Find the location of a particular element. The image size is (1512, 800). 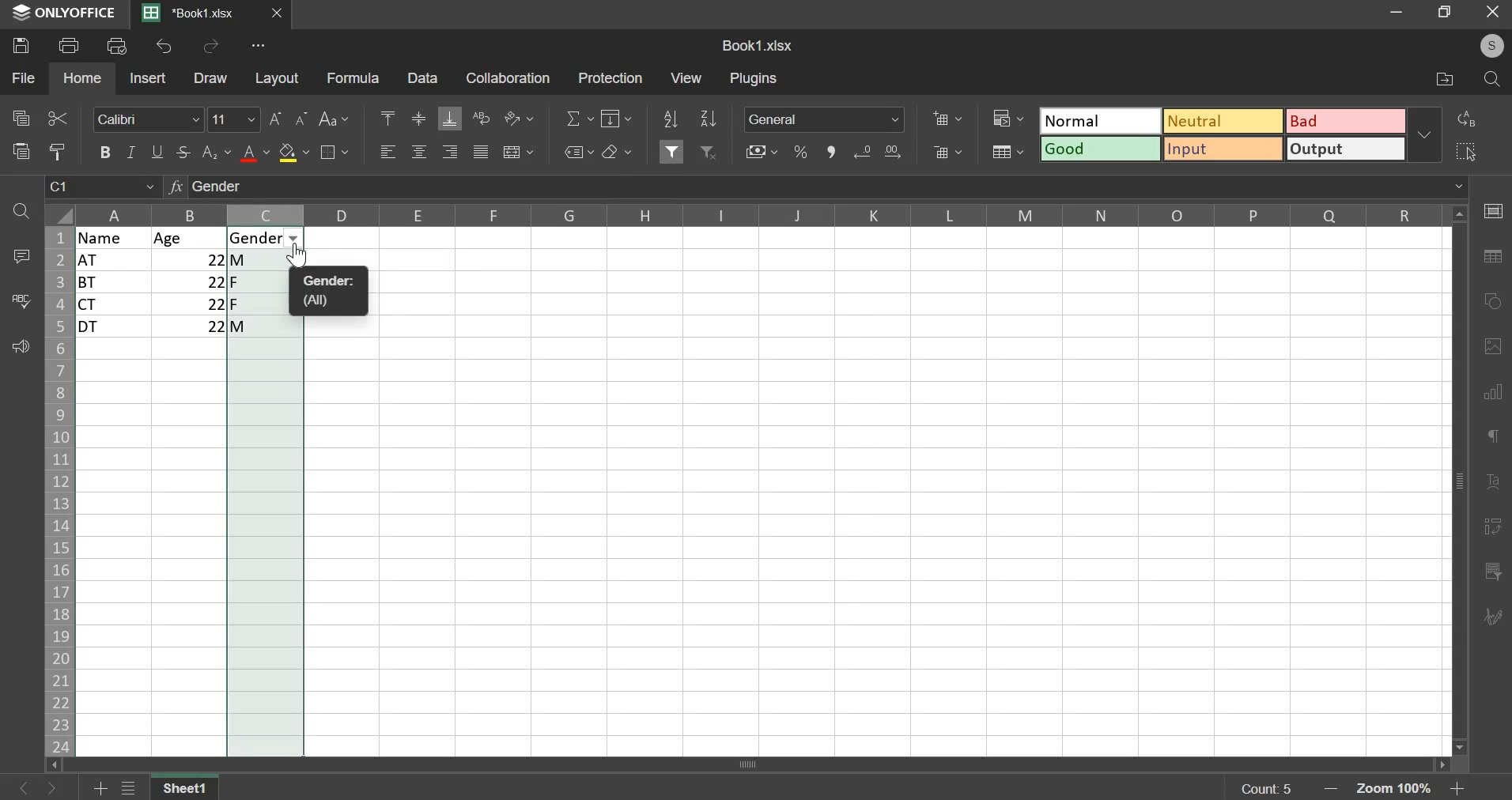

22 is located at coordinates (191, 281).